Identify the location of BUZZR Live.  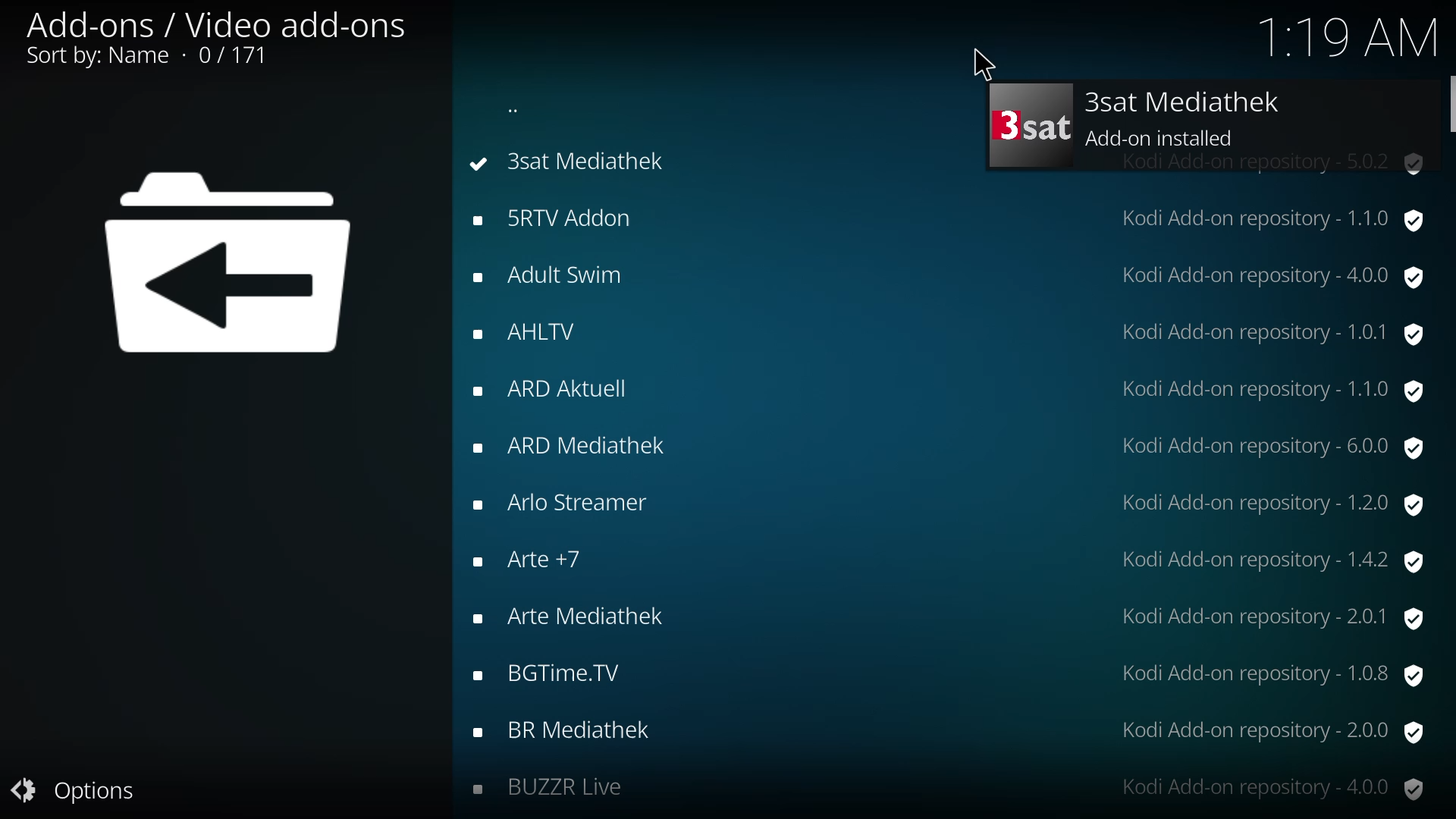
(563, 788).